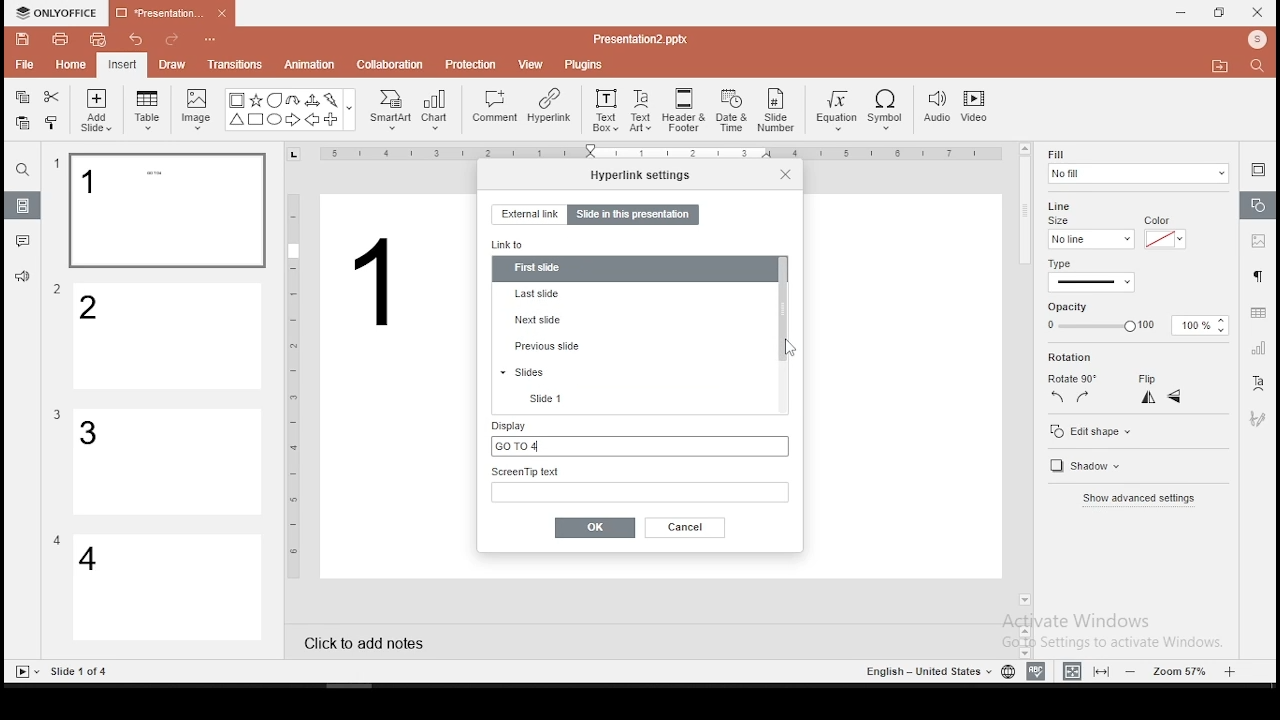 The image size is (1280, 720). What do you see at coordinates (528, 214) in the screenshot?
I see `external link` at bounding box center [528, 214].